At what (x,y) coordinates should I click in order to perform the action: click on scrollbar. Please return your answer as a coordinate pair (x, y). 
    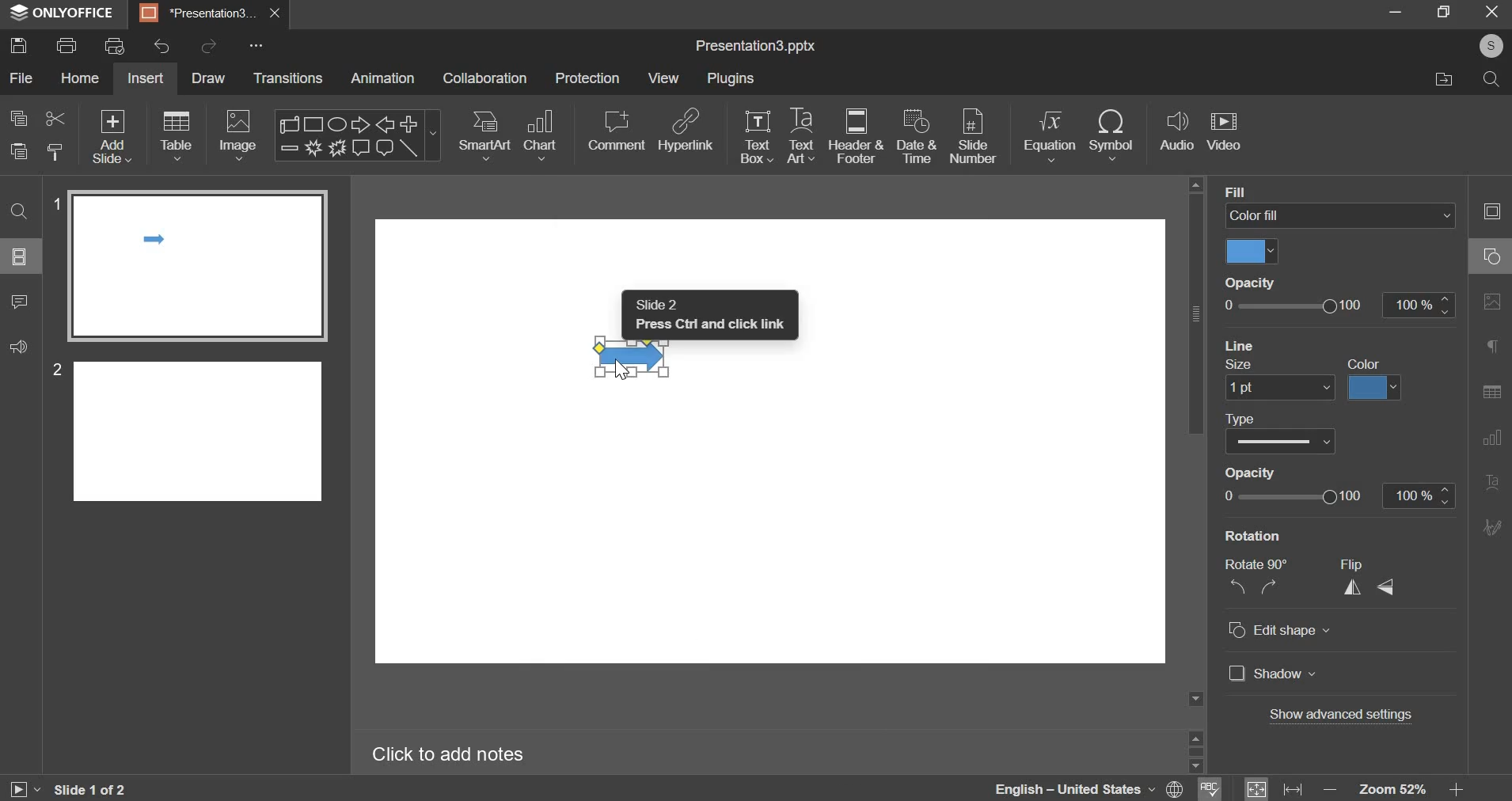
    Looking at the image, I should click on (1195, 751).